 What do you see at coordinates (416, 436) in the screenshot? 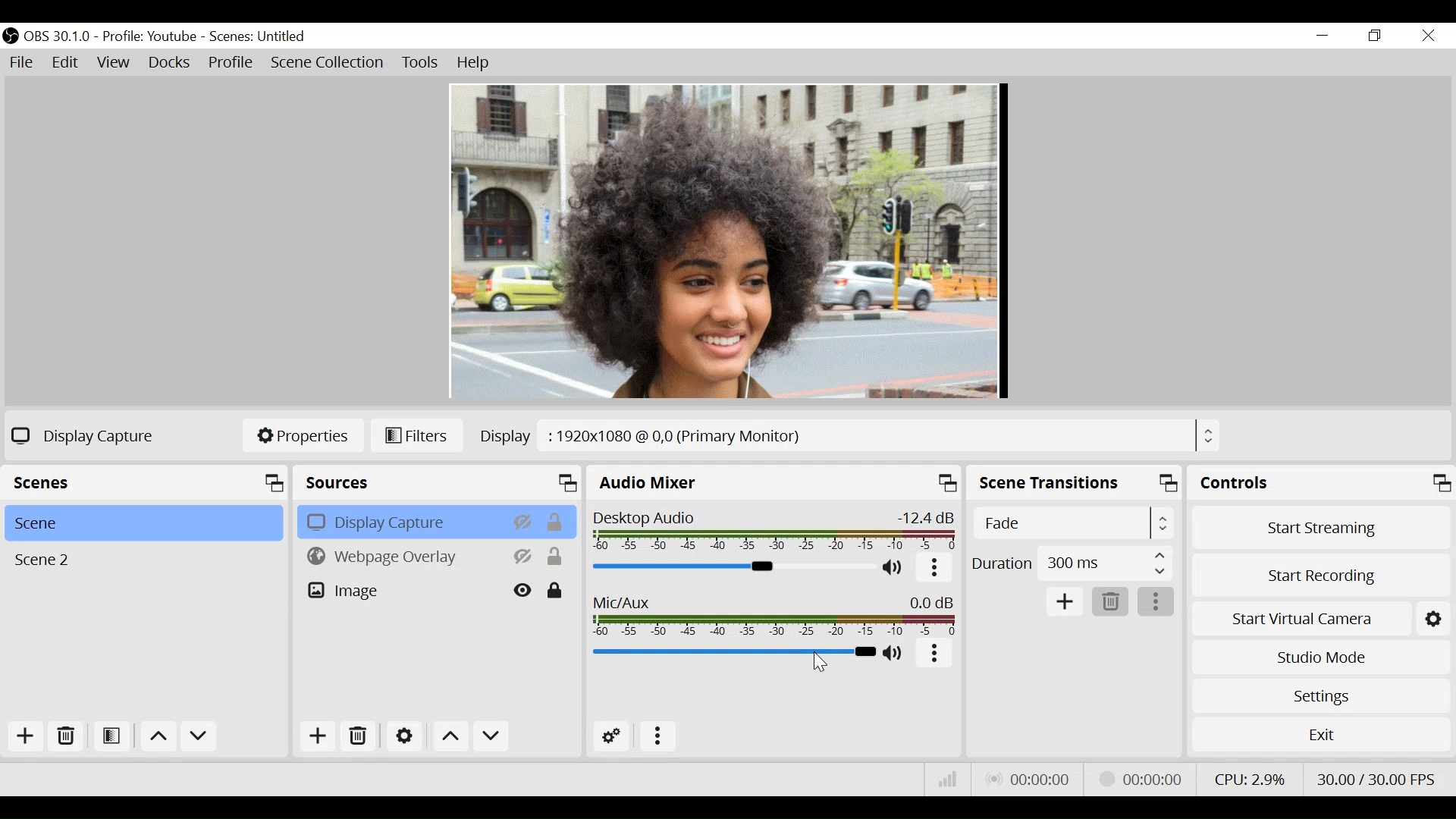
I see `Filters` at bounding box center [416, 436].